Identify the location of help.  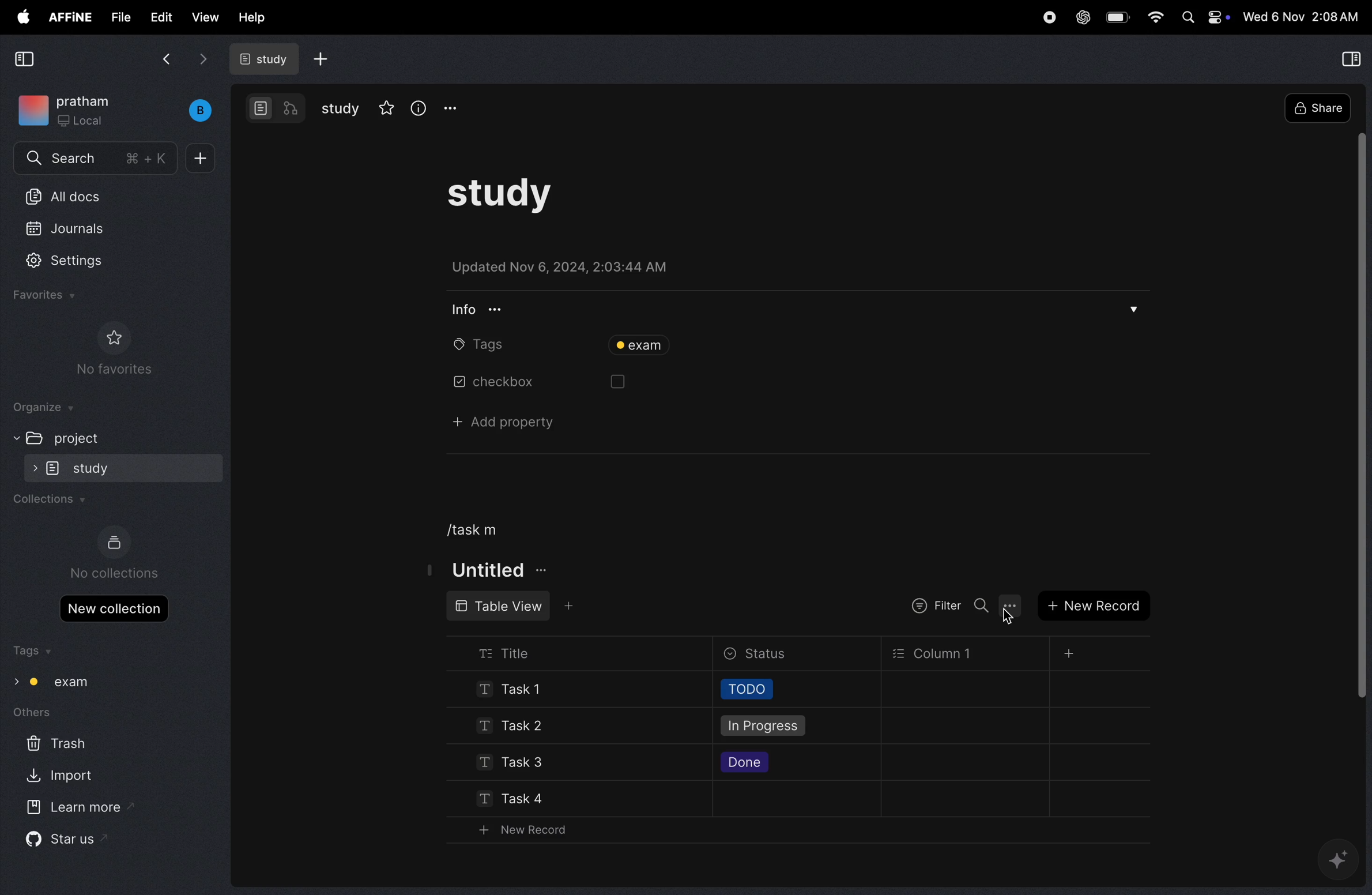
(254, 18).